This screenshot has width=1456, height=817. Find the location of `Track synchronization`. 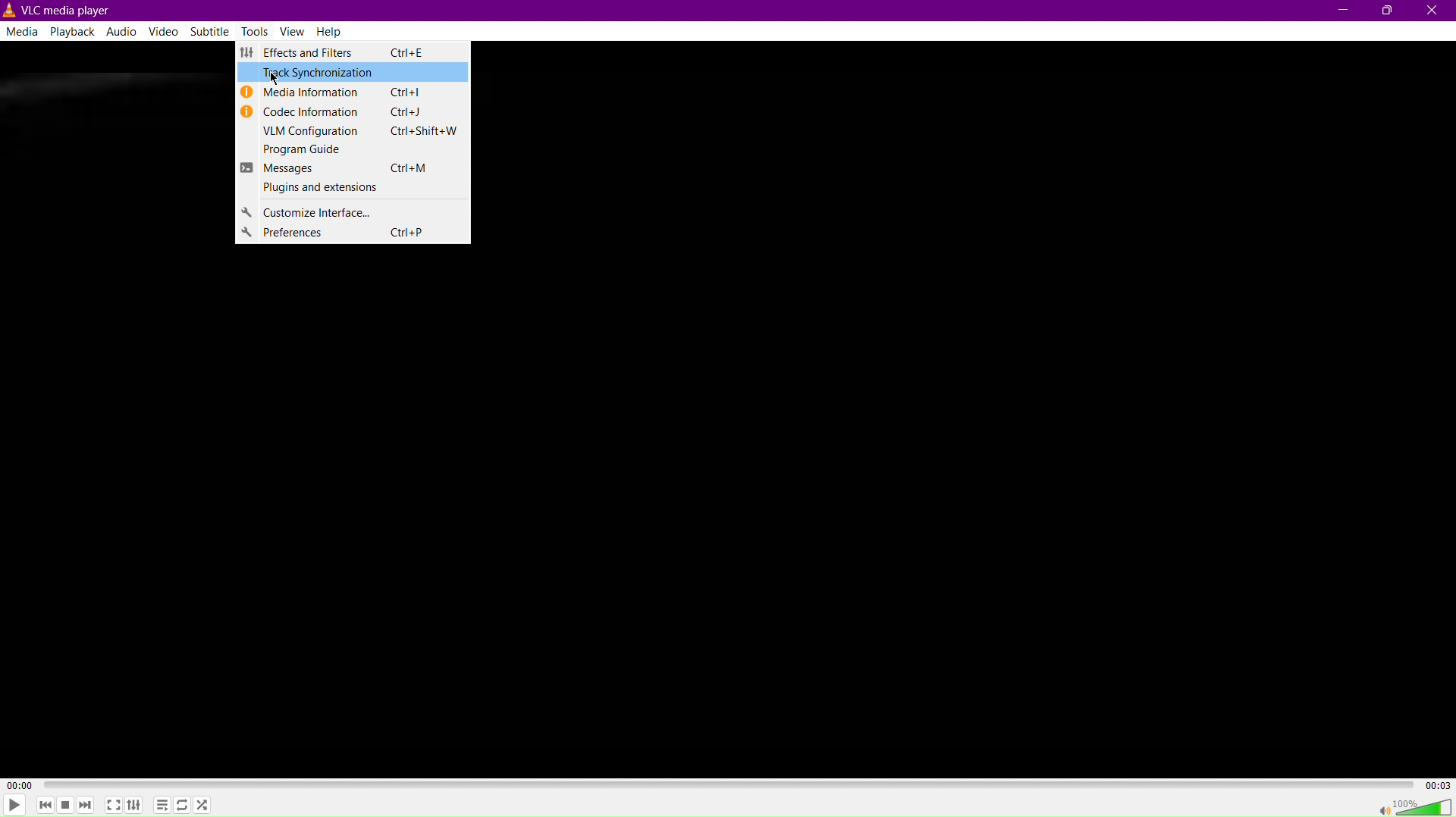

Track synchronization is located at coordinates (356, 76).